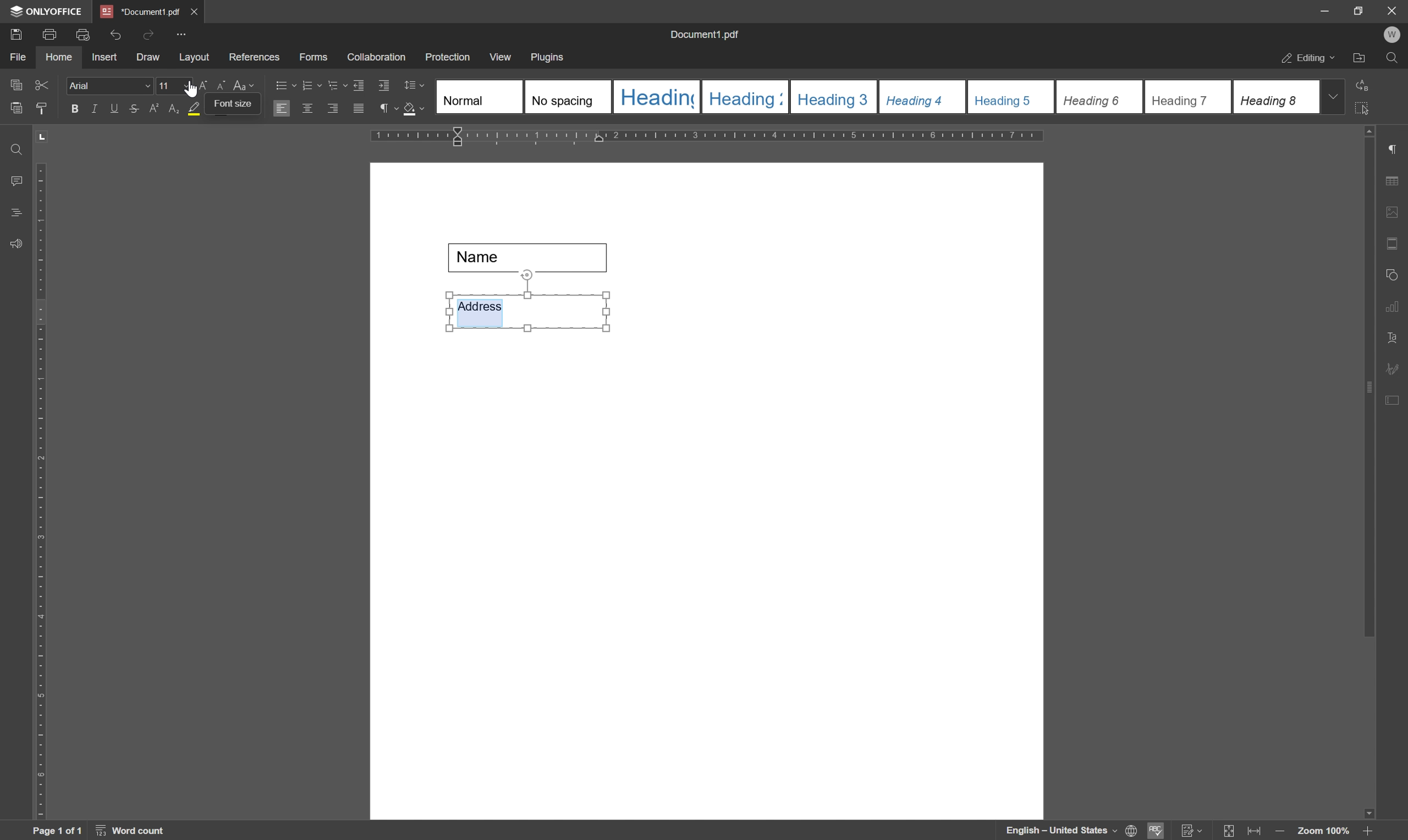 The width and height of the screenshot is (1408, 840). What do you see at coordinates (314, 58) in the screenshot?
I see `forms` at bounding box center [314, 58].